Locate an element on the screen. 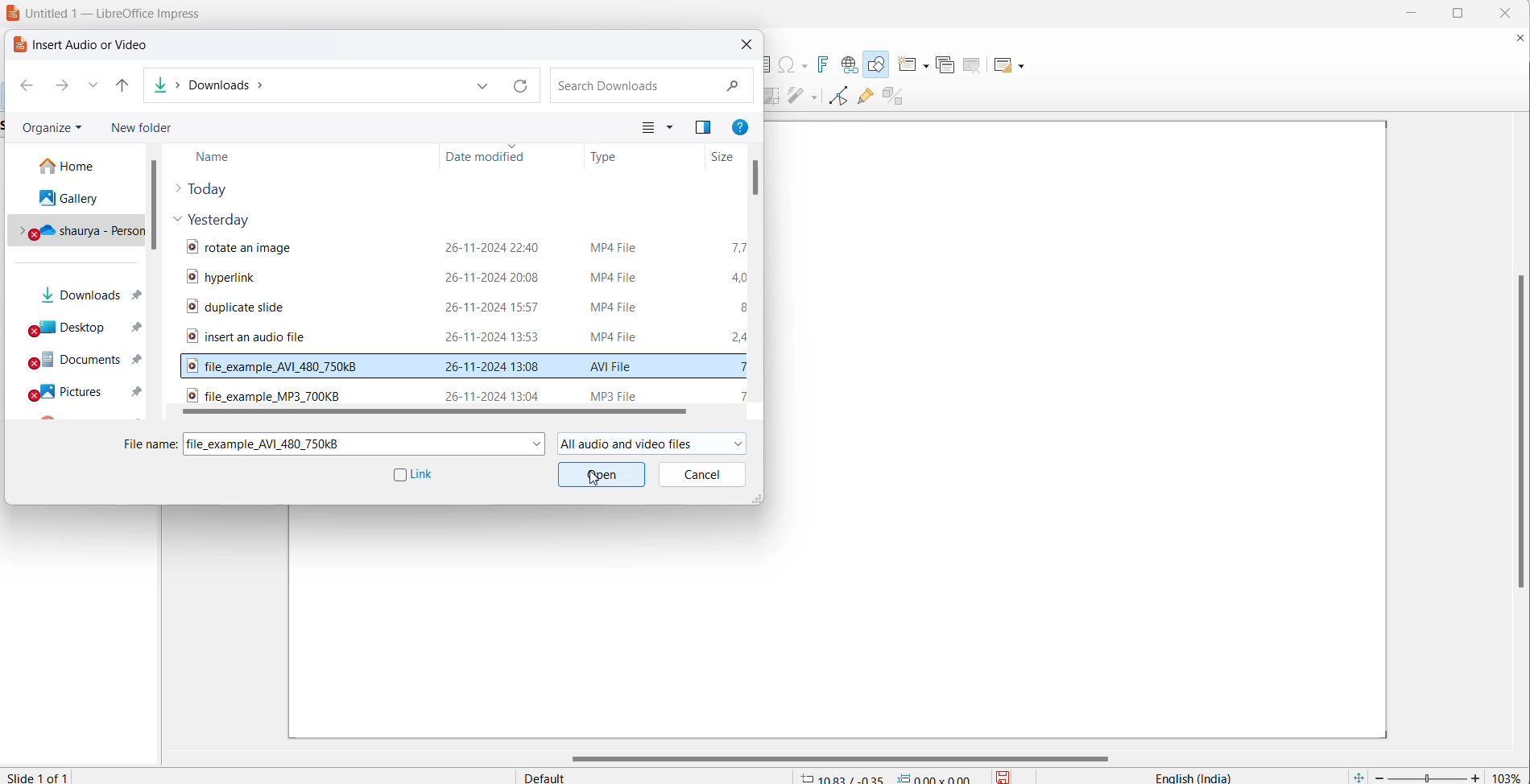  organize is located at coordinates (47, 129).